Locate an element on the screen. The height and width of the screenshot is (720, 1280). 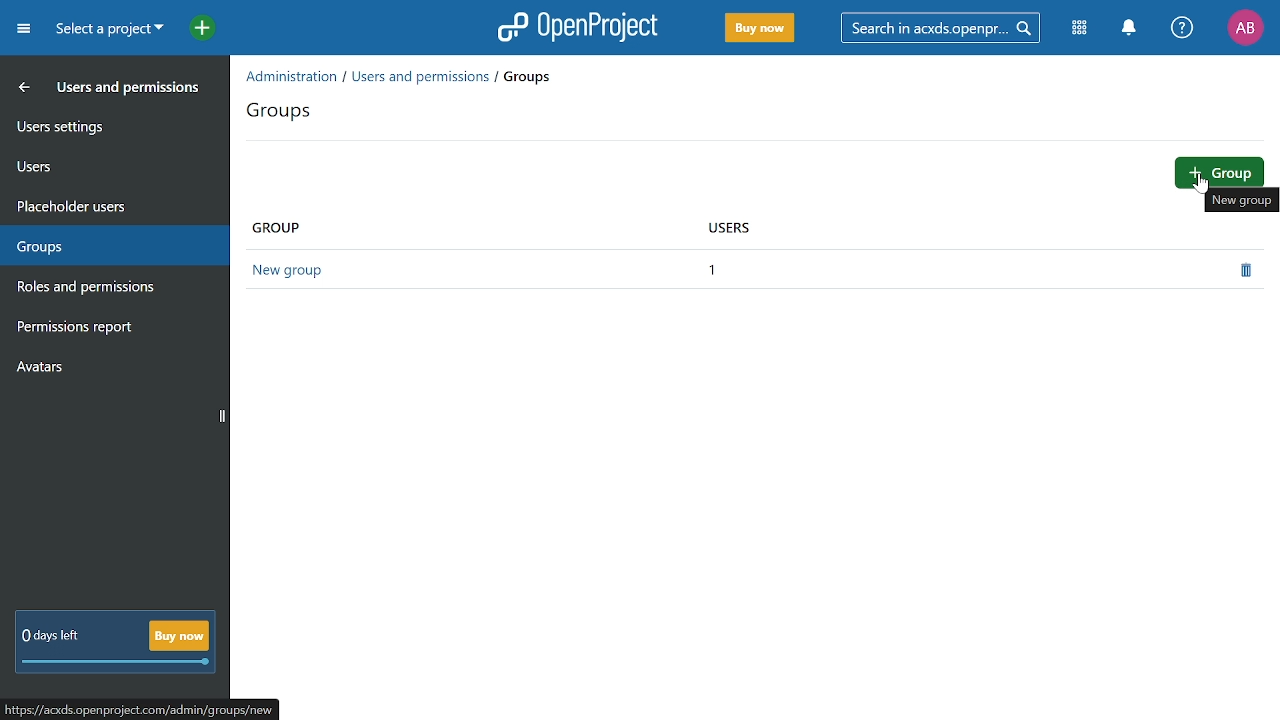
Current project is located at coordinates (109, 30).